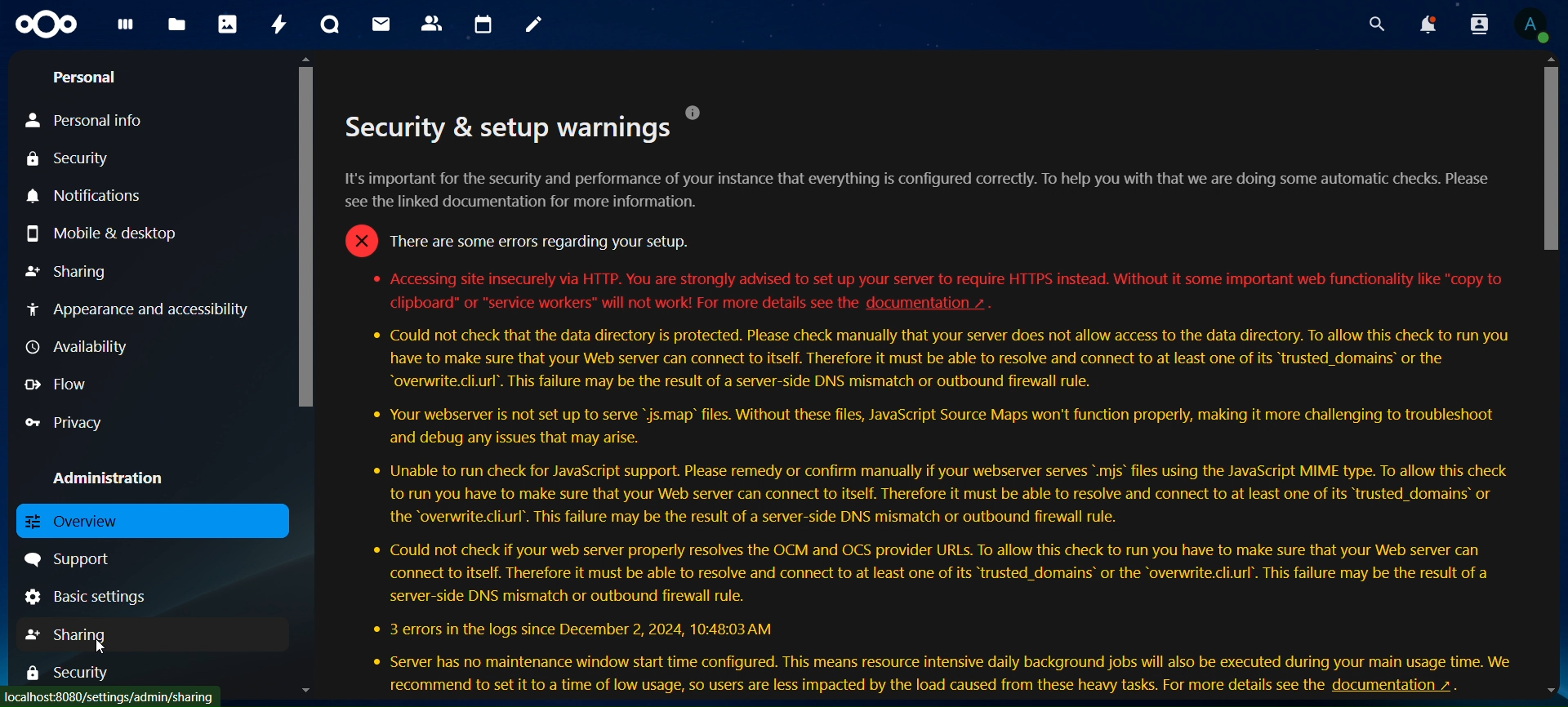 The image size is (1568, 707). Describe the element at coordinates (483, 23) in the screenshot. I see `calendar` at that location.